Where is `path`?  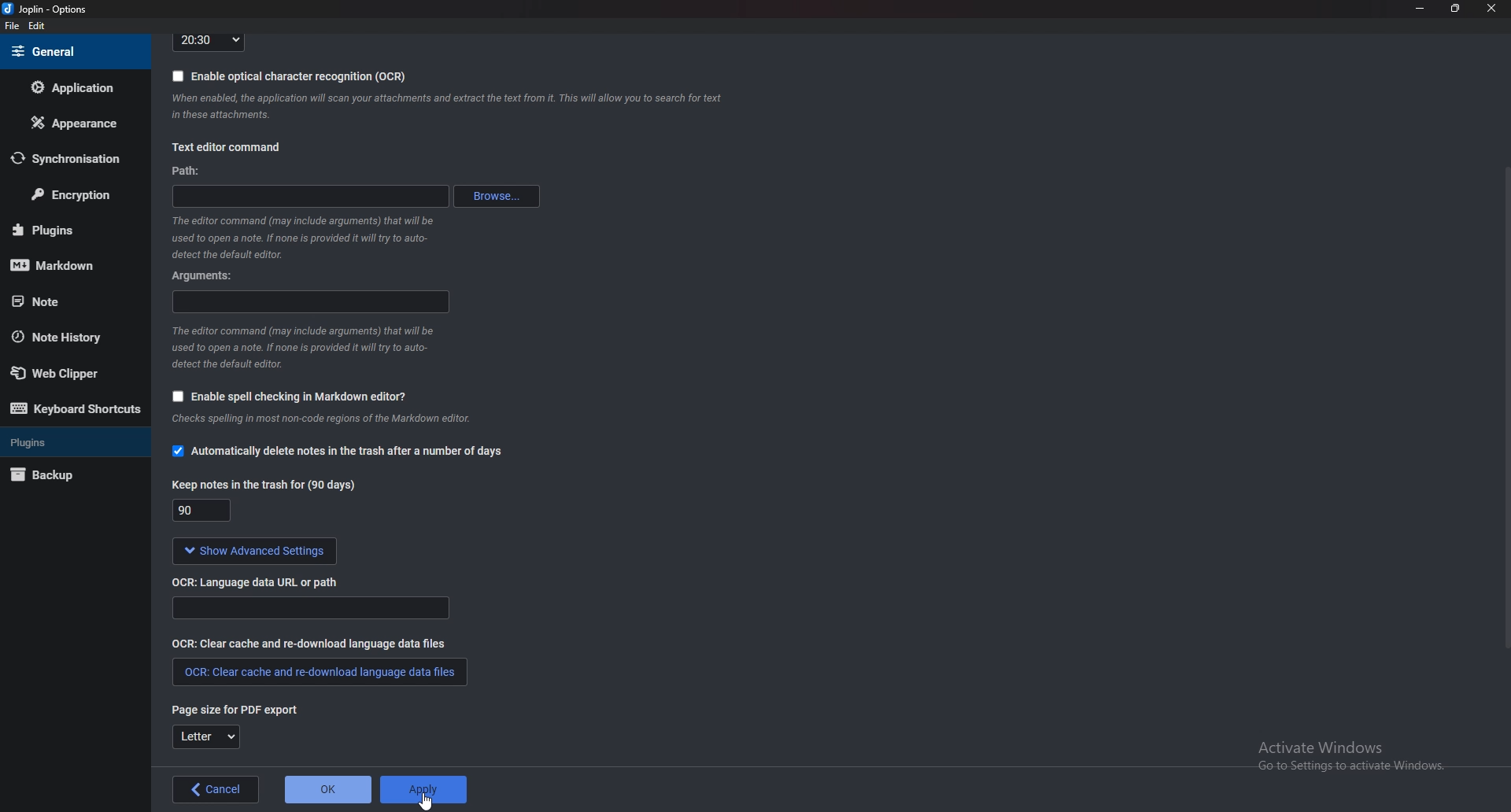 path is located at coordinates (316, 194).